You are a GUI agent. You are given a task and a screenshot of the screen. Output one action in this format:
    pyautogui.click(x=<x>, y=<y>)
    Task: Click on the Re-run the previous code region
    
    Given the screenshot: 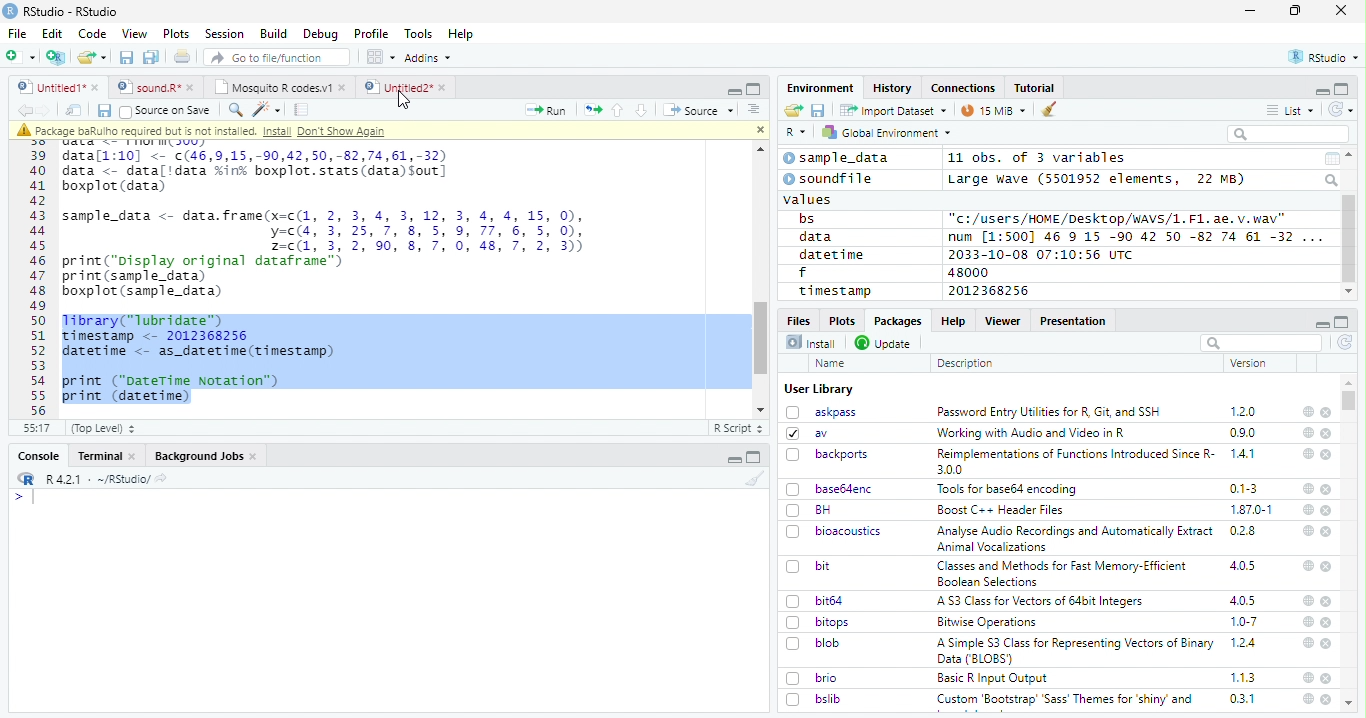 What is the action you would take?
    pyautogui.click(x=591, y=111)
    